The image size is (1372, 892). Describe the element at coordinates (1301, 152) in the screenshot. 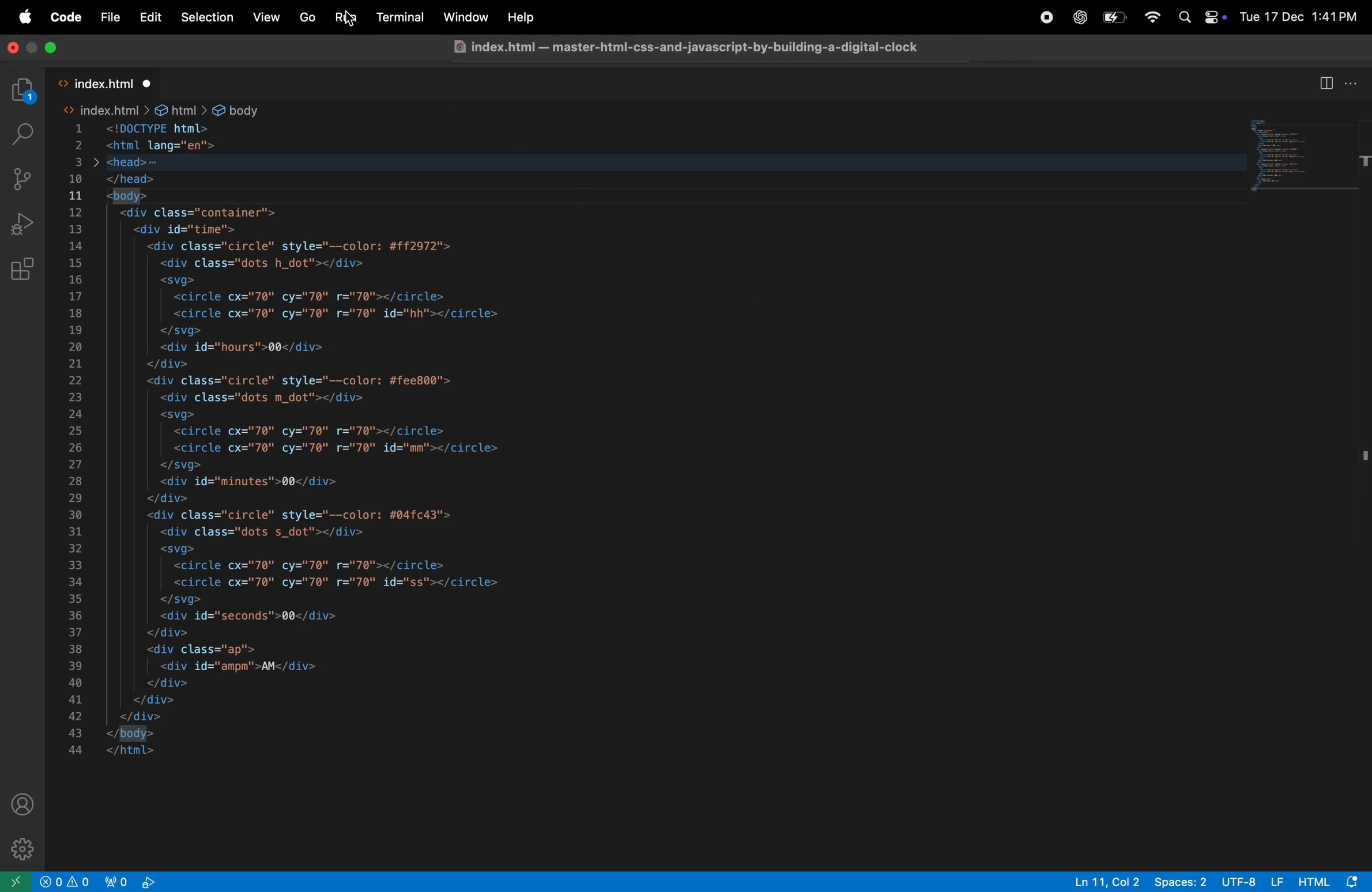

I see `code block` at that location.